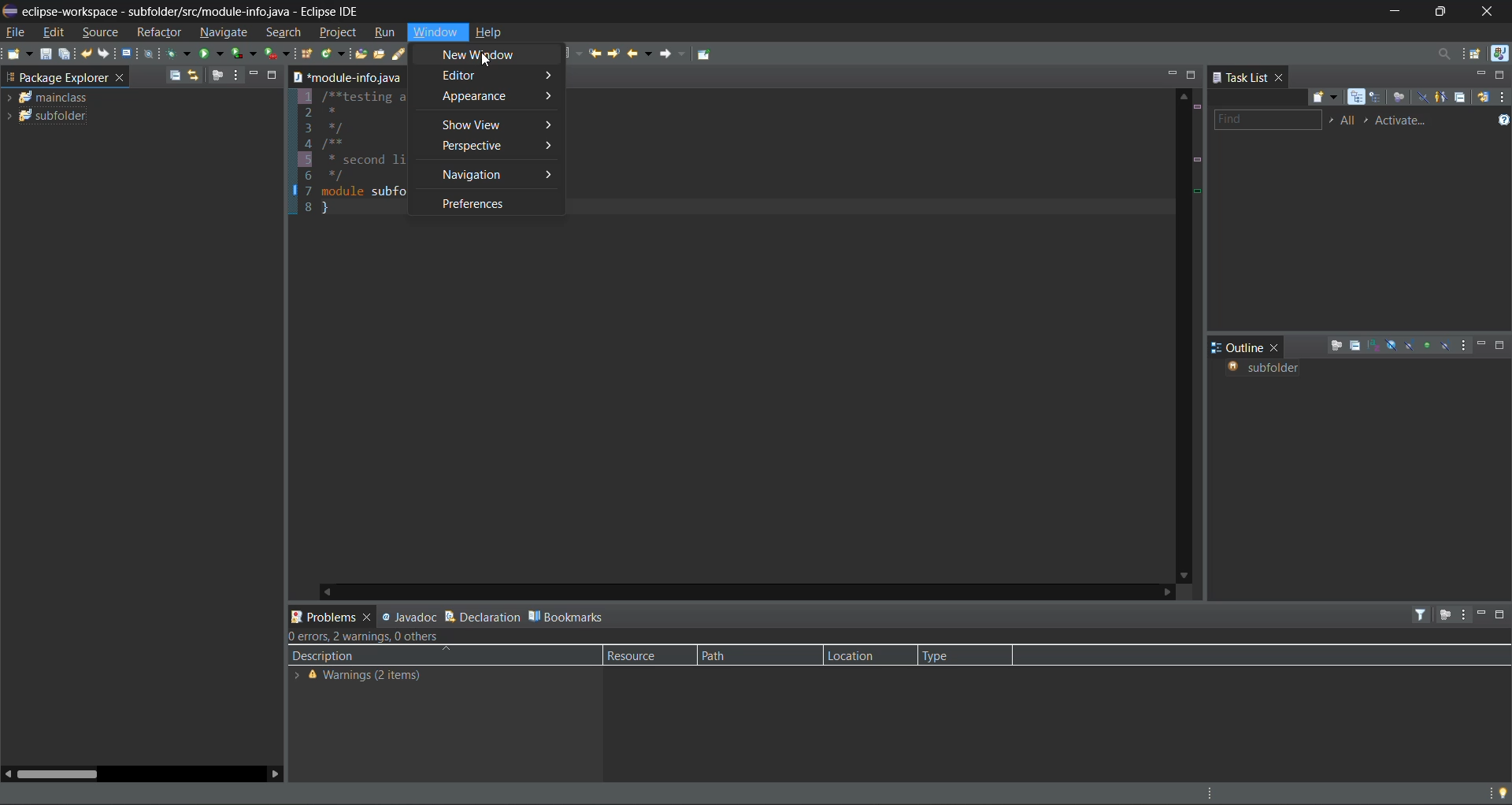  I want to click on hide static fields and methods, so click(1410, 346).